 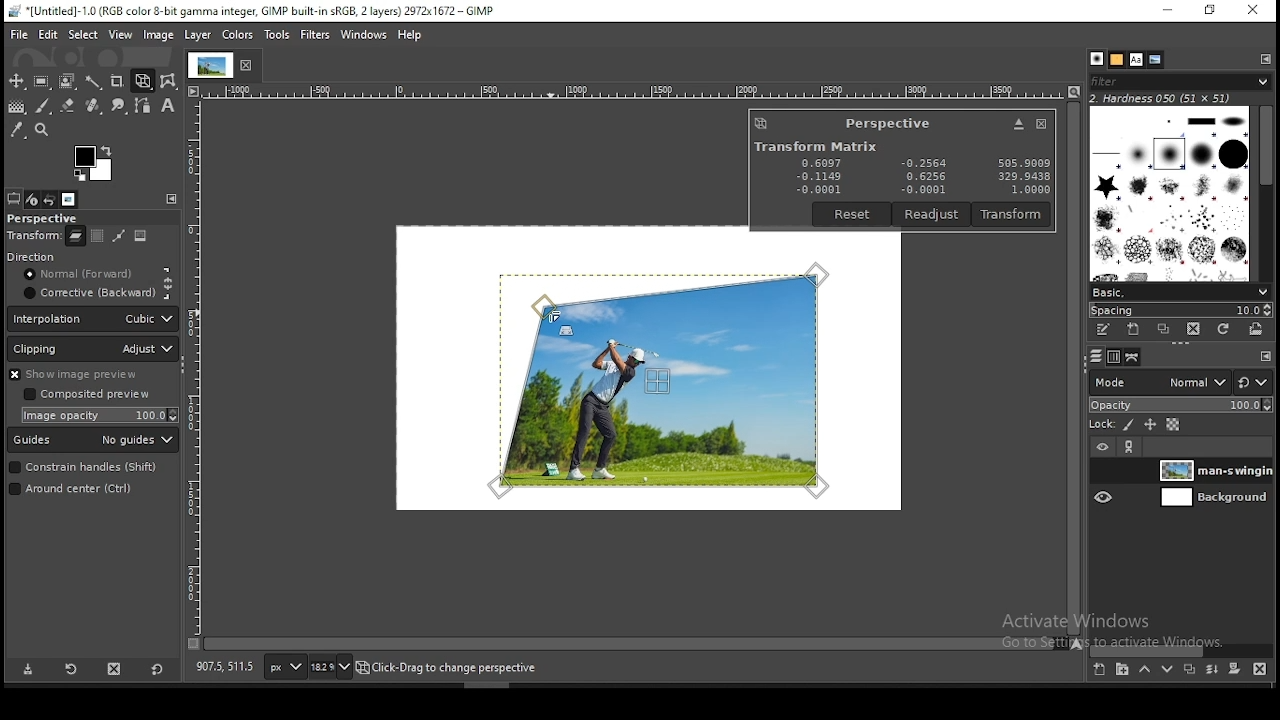 I want to click on delete tool preset, so click(x=116, y=668).